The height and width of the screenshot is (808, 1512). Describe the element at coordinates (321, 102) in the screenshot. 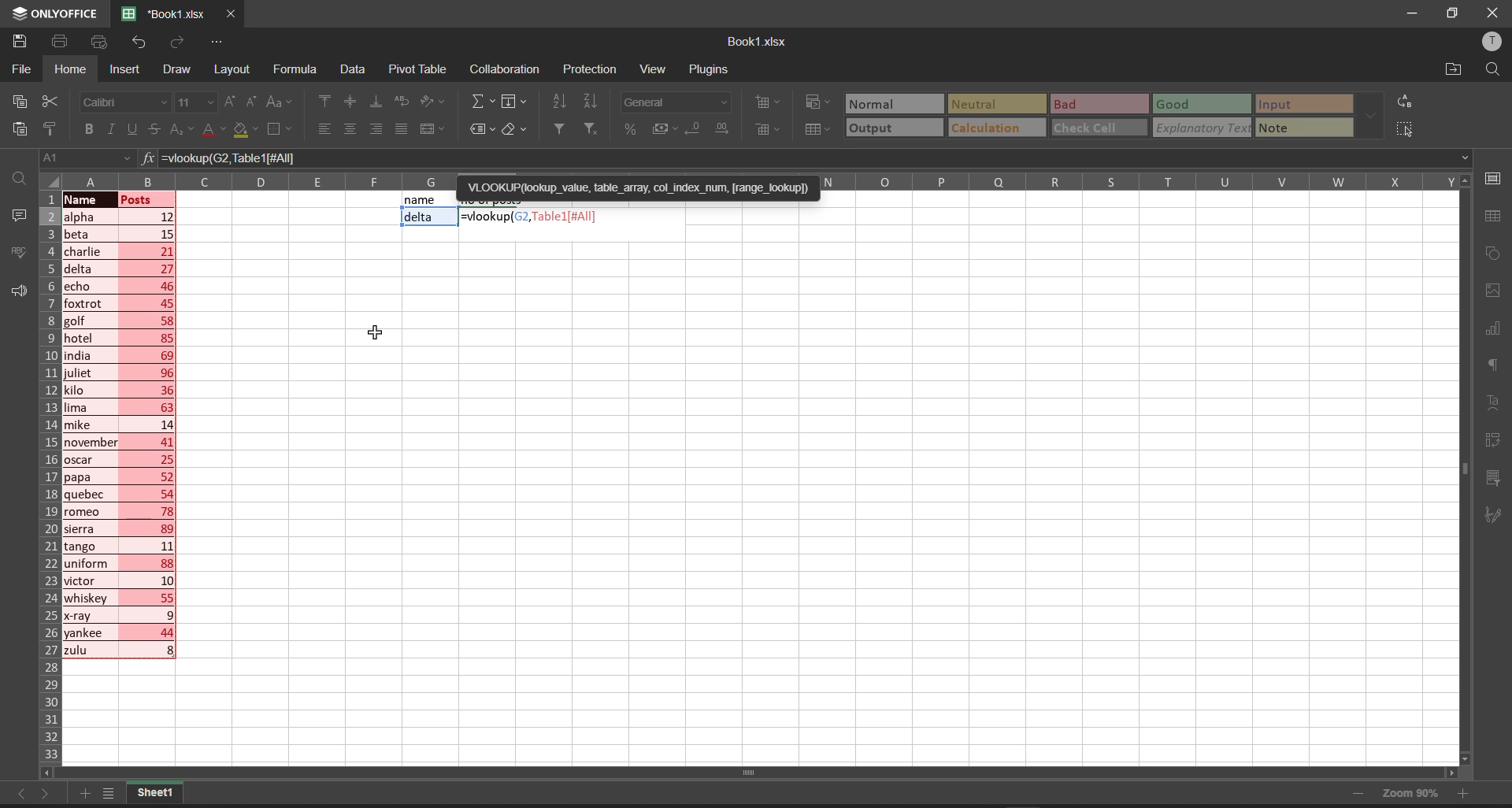

I see `align top` at that location.